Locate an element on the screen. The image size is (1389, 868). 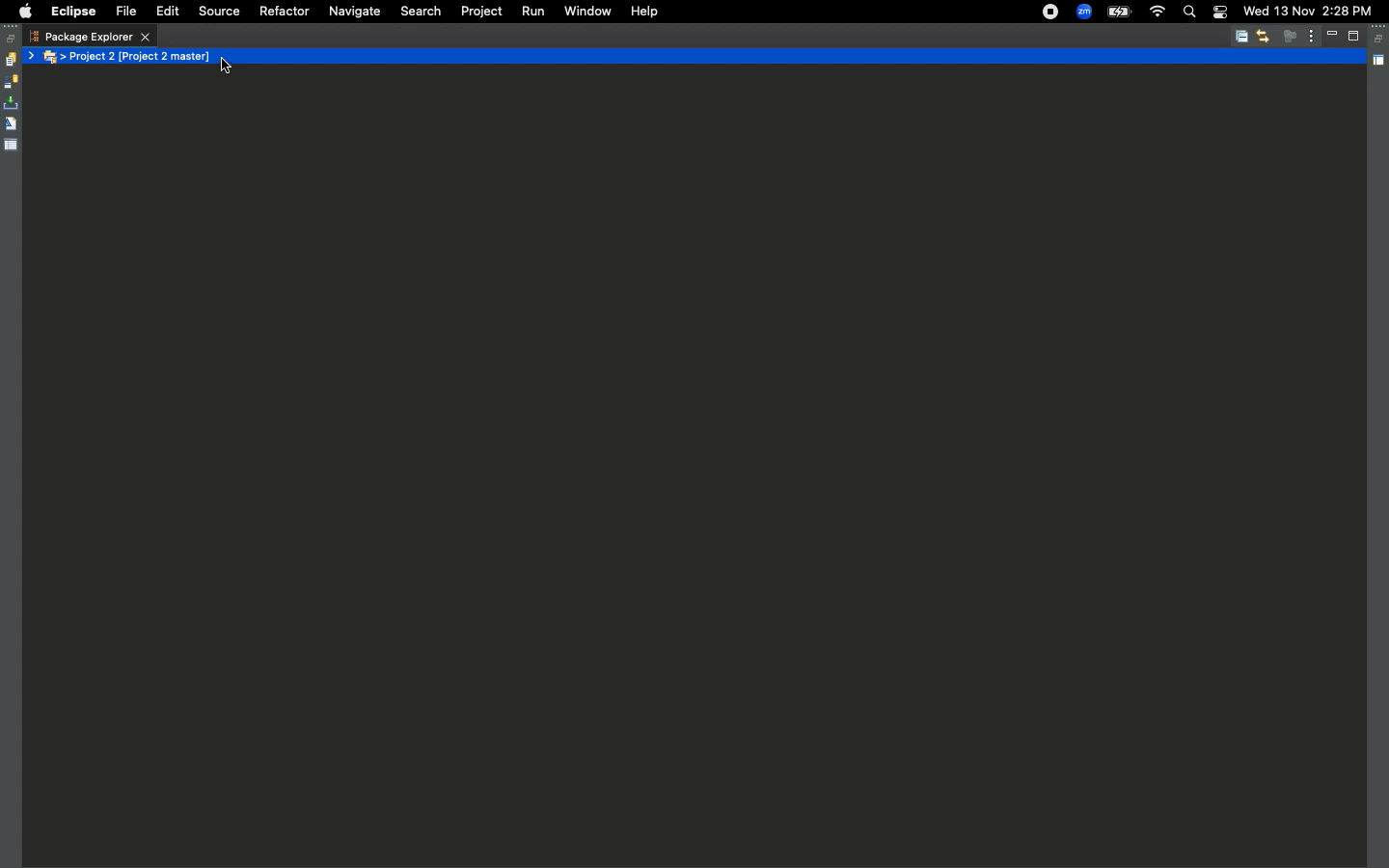
Zoom is located at coordinates (1084, 13).